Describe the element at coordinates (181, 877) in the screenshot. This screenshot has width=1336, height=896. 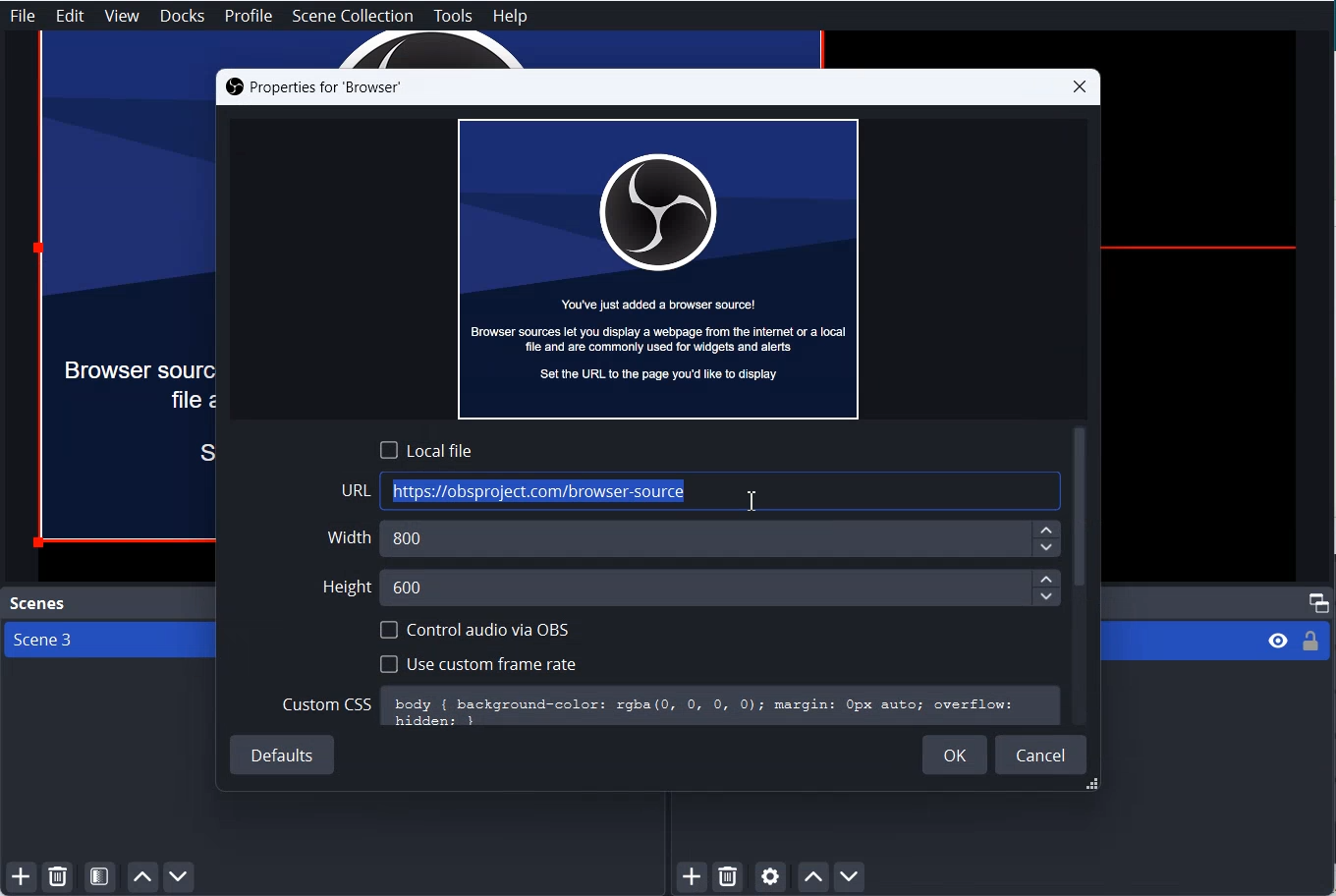
I see `Move scene Down` at that location.